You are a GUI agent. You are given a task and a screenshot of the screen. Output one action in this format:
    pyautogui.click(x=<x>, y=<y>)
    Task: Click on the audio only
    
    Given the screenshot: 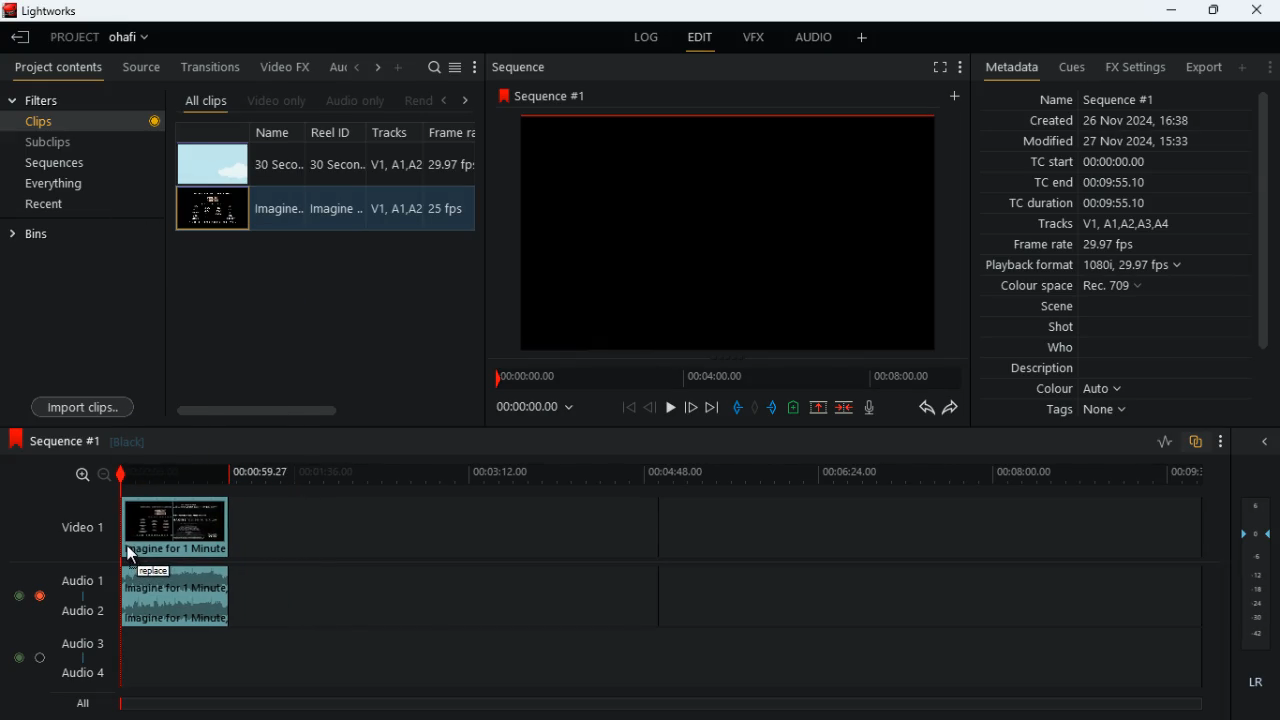 What is the action you would take?
    pyautogui.click(x=358, y=101)
    